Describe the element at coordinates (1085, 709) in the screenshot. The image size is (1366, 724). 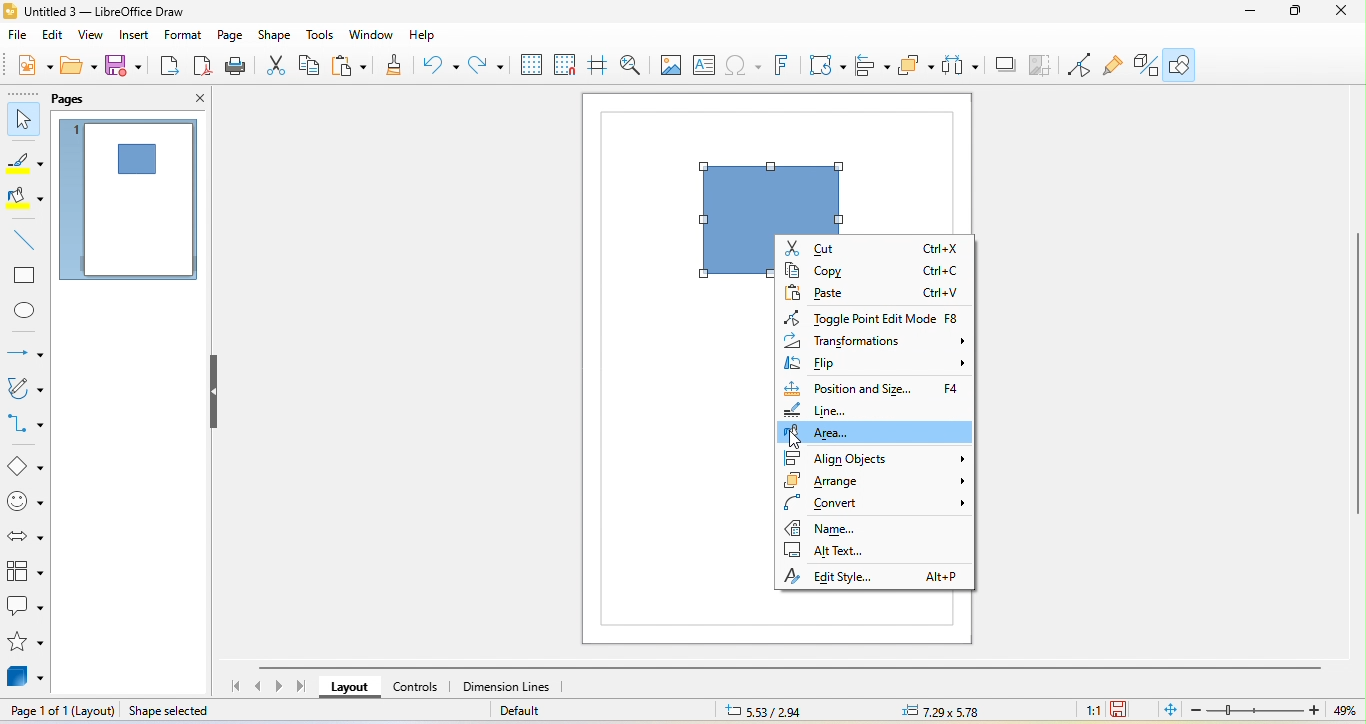
I see `1:1` at that location.